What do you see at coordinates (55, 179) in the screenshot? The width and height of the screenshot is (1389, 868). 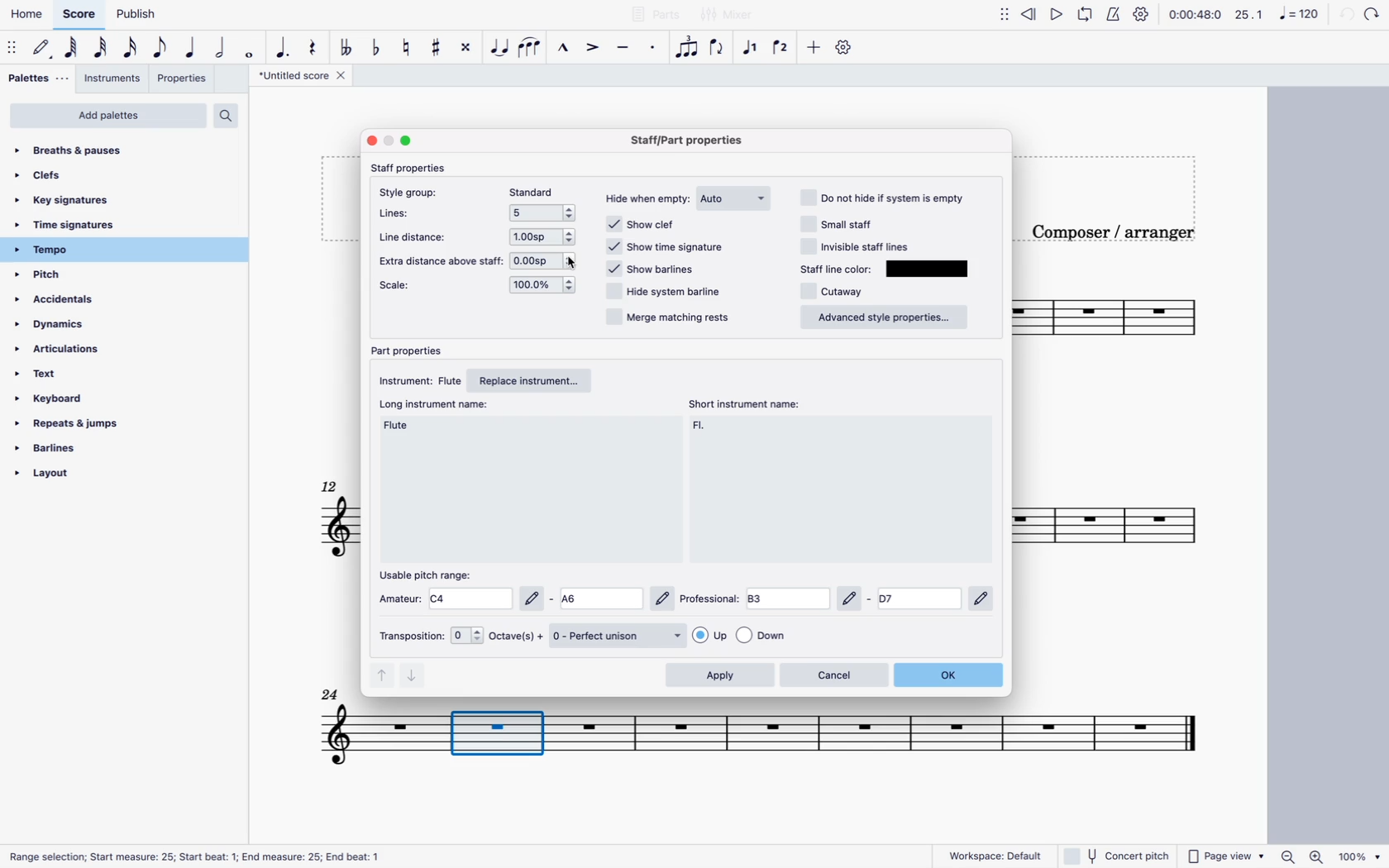 I see `clefs` at bounding box center [55, 179].